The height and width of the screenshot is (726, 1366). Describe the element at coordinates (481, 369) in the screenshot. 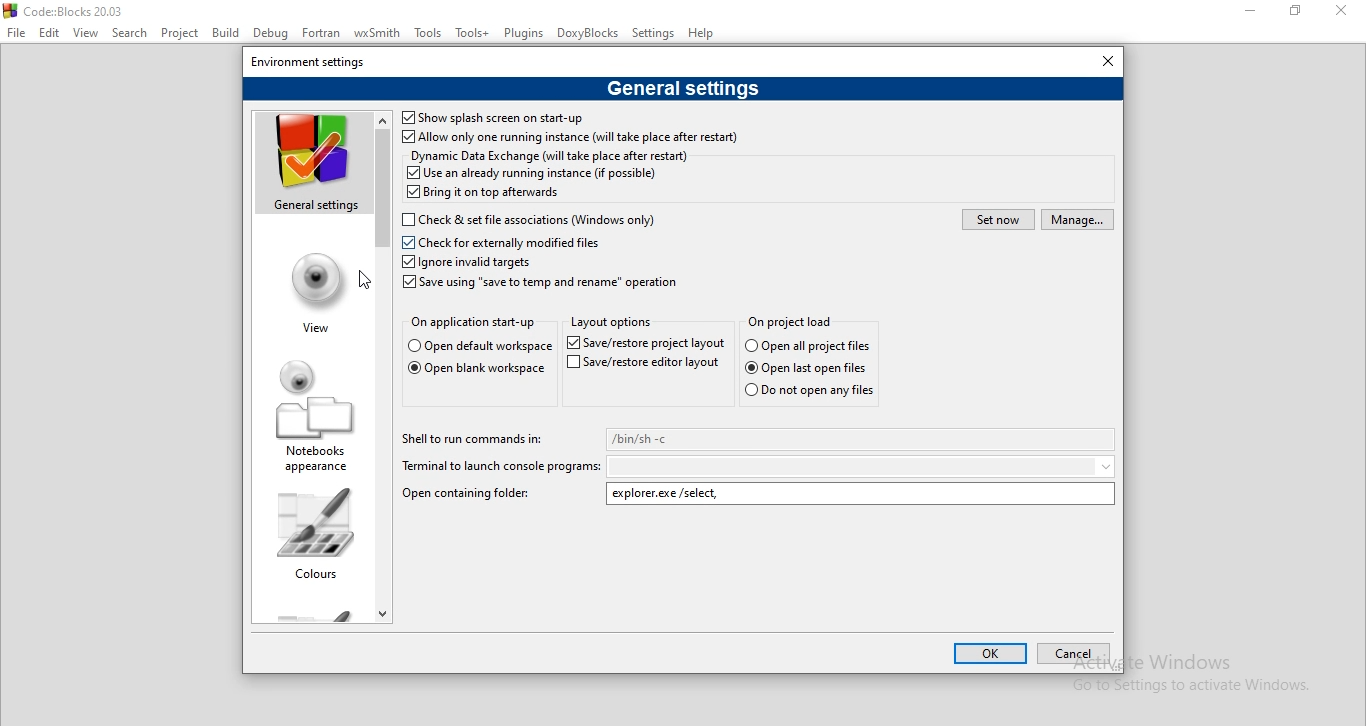

I see `Open blank workspace` at that location.